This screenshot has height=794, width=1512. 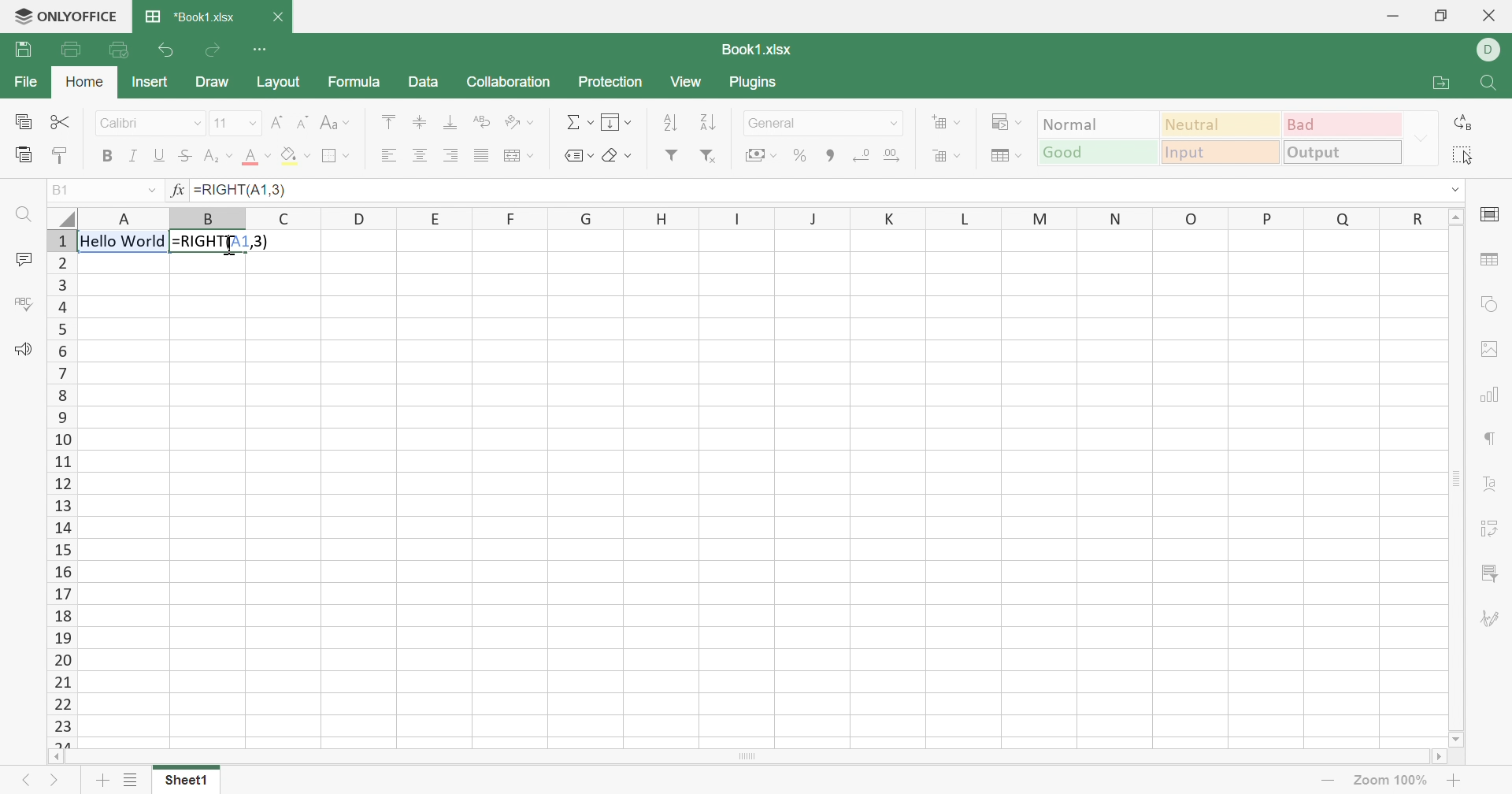 I want to click on Close, so click(x=1491, y=15).